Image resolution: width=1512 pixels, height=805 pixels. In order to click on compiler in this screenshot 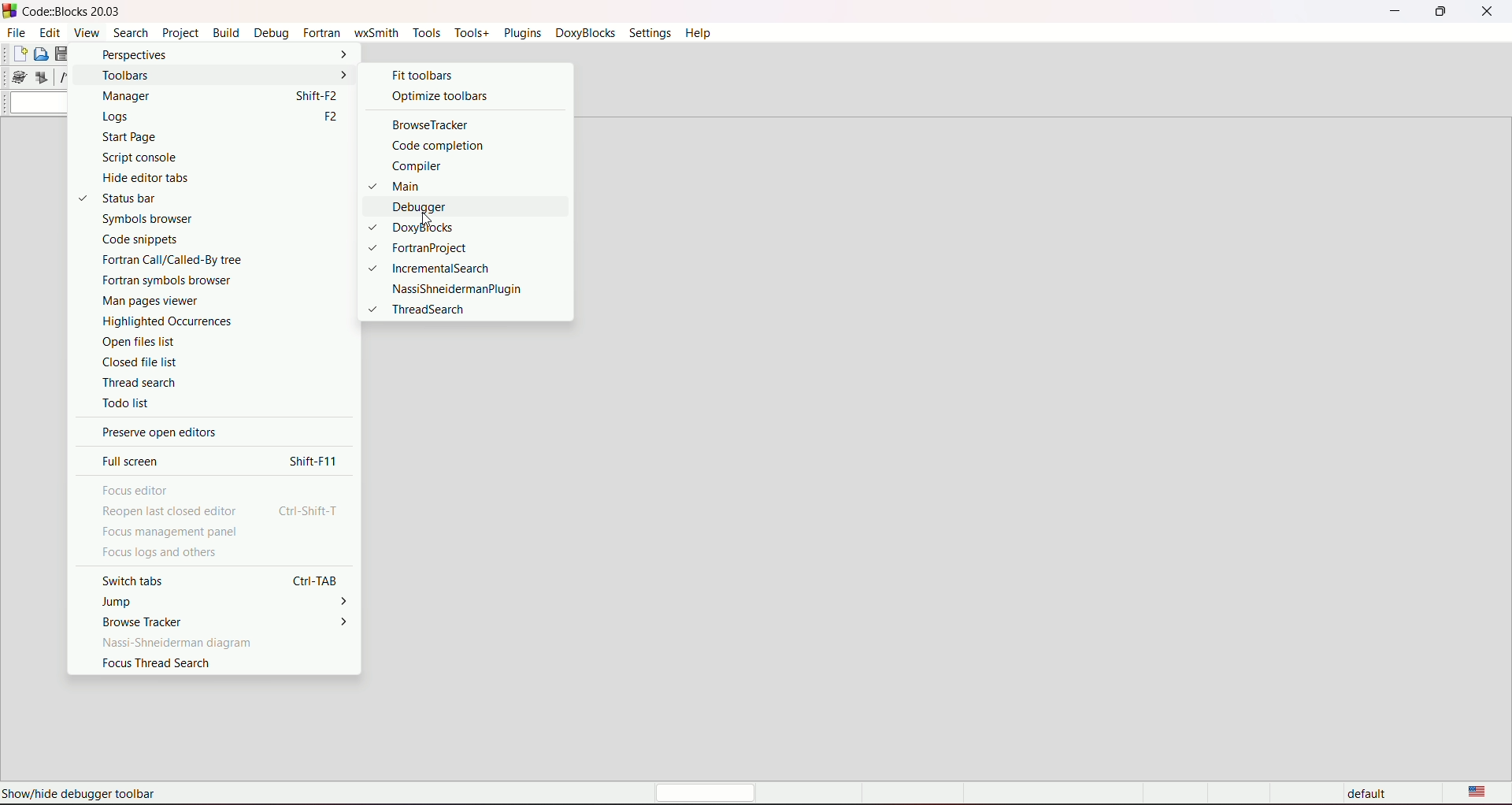, I will do `click(435, 165)`.